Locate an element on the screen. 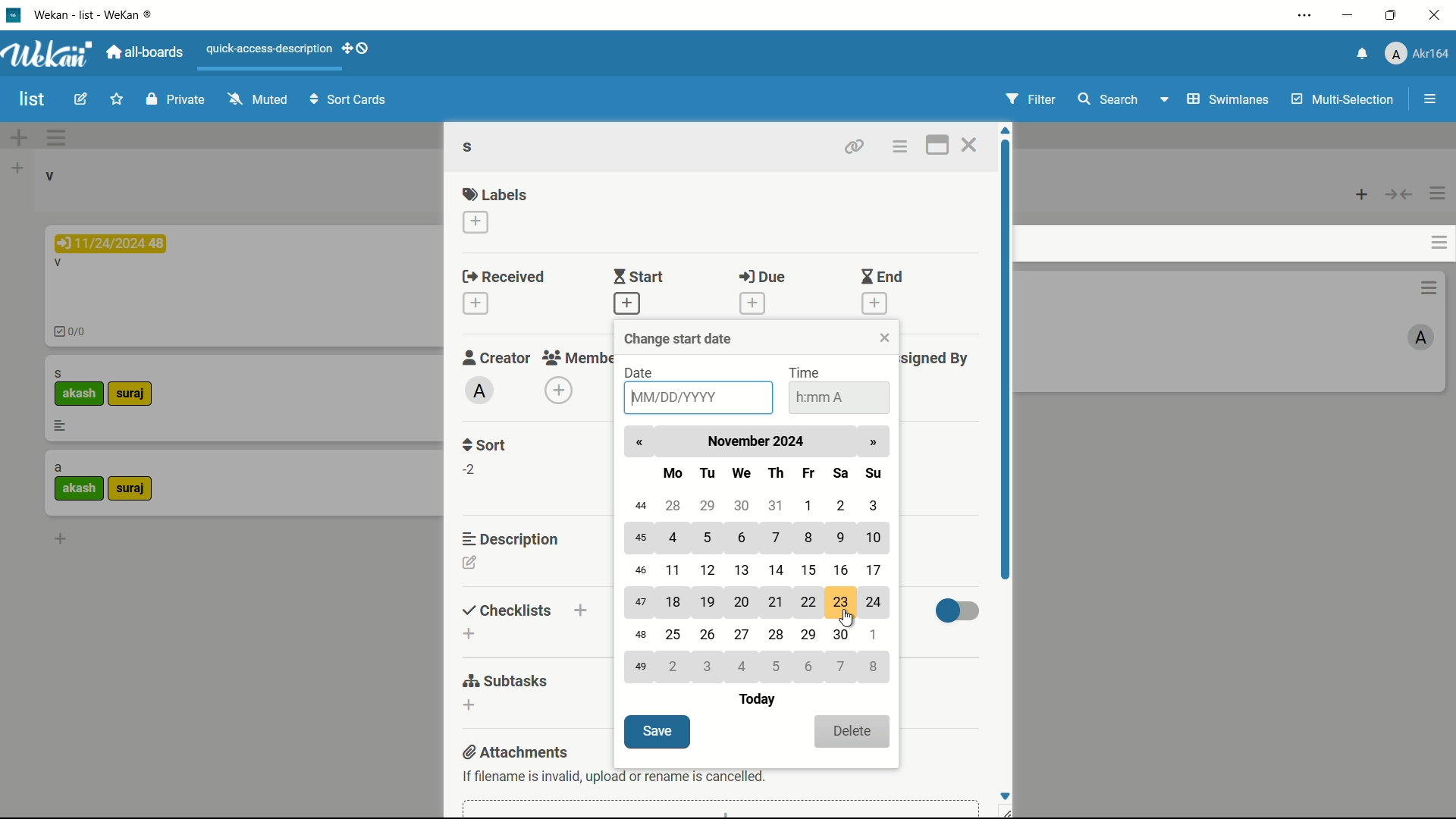  swimlane actions is located at coordinates (56, 138).